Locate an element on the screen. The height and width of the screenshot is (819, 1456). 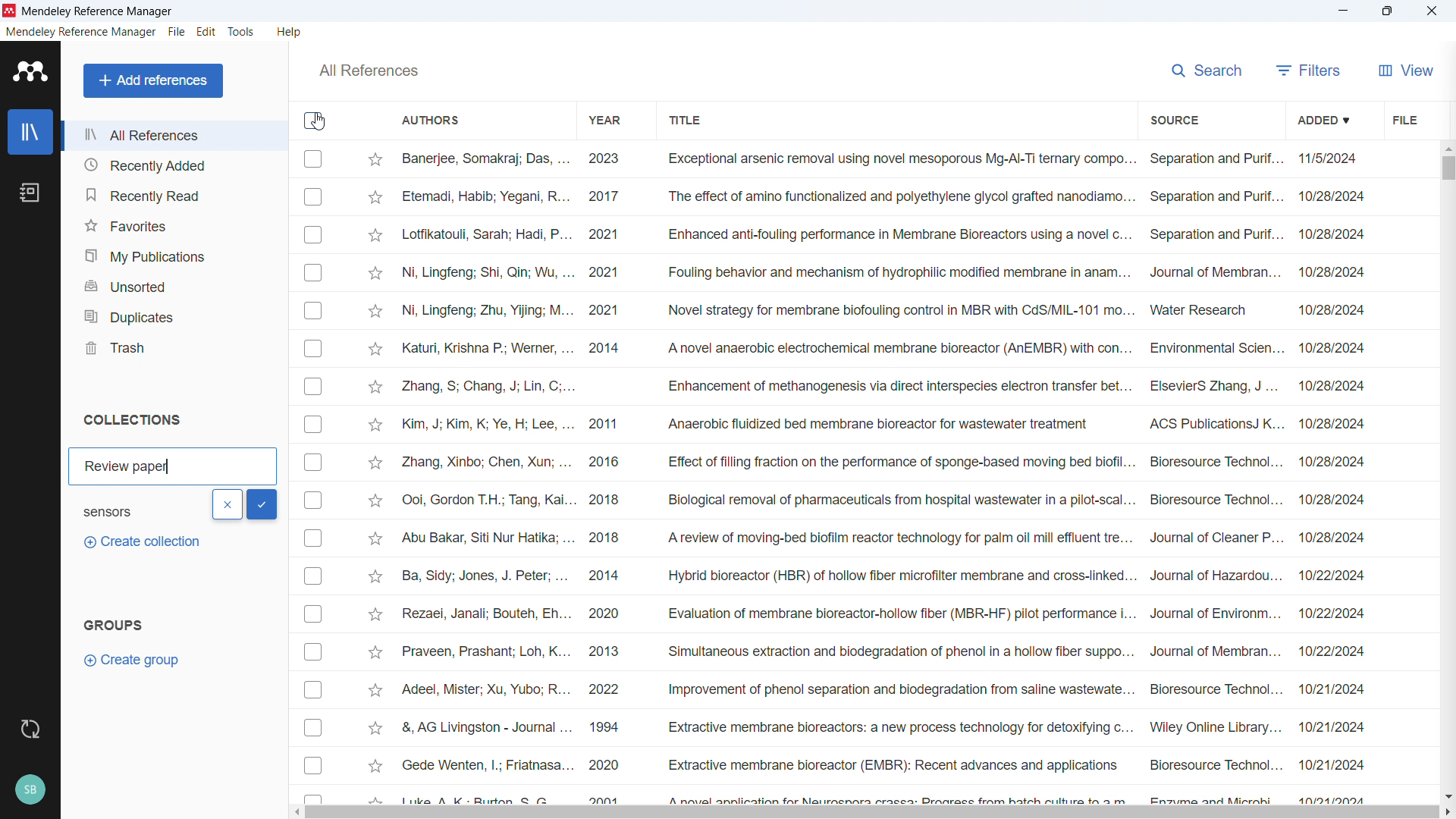
Select respective publication is located at coordinates (313, 197).